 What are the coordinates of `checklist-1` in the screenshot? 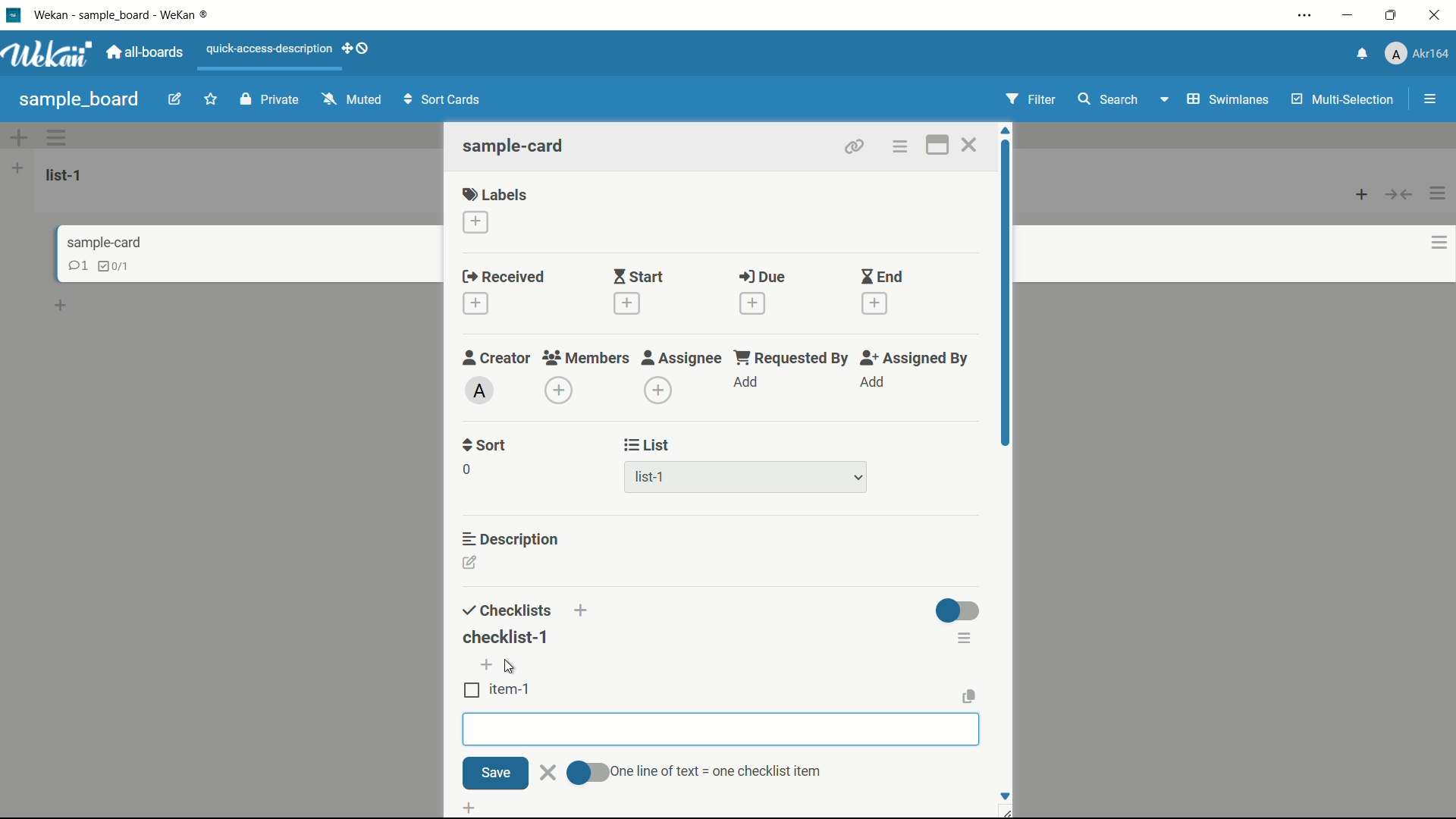 It's located at (513, 641).